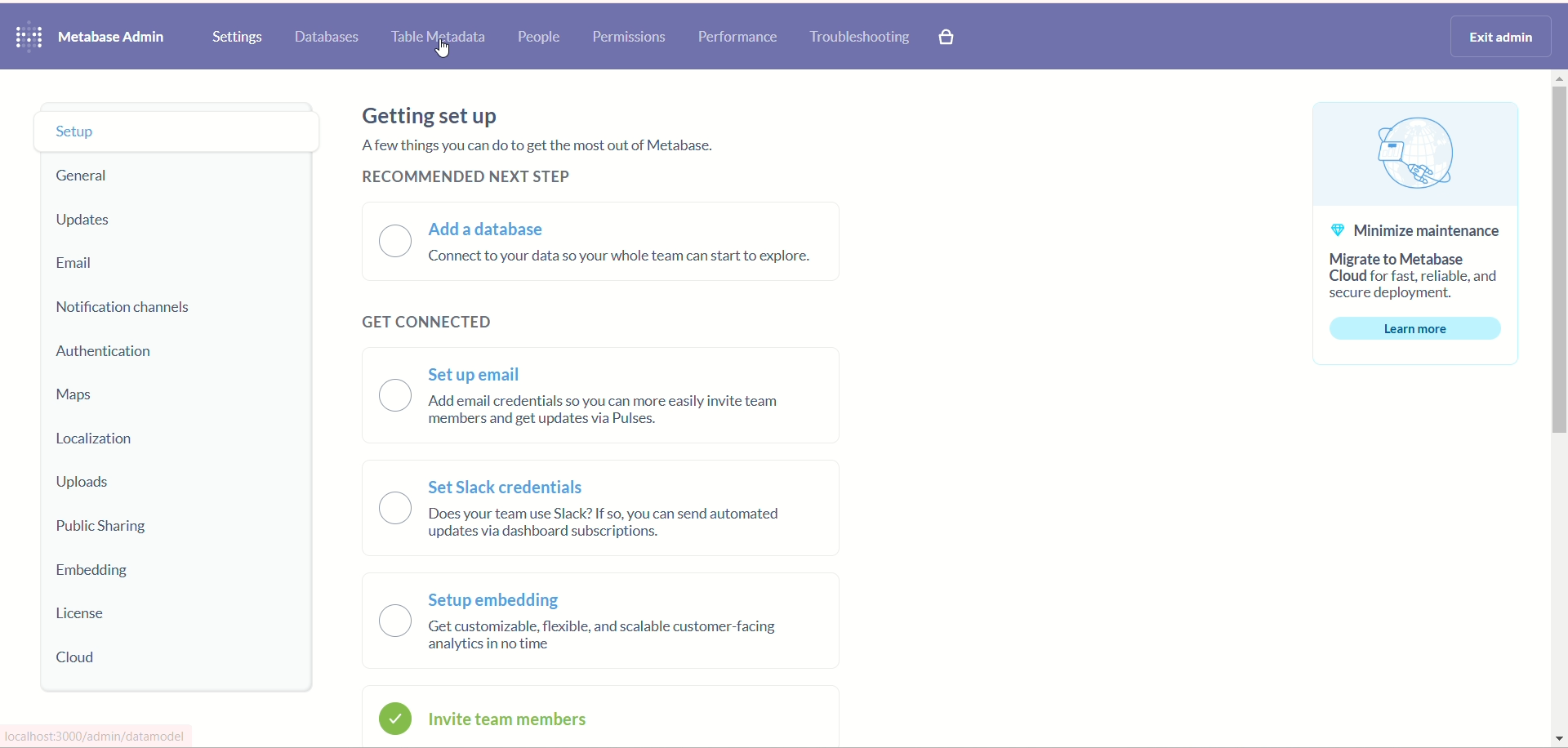 The height and width of the screenshot is (748, 1568). Describe the element at coordinates (100, 439) in the screenshot. I see `localization` at that location.